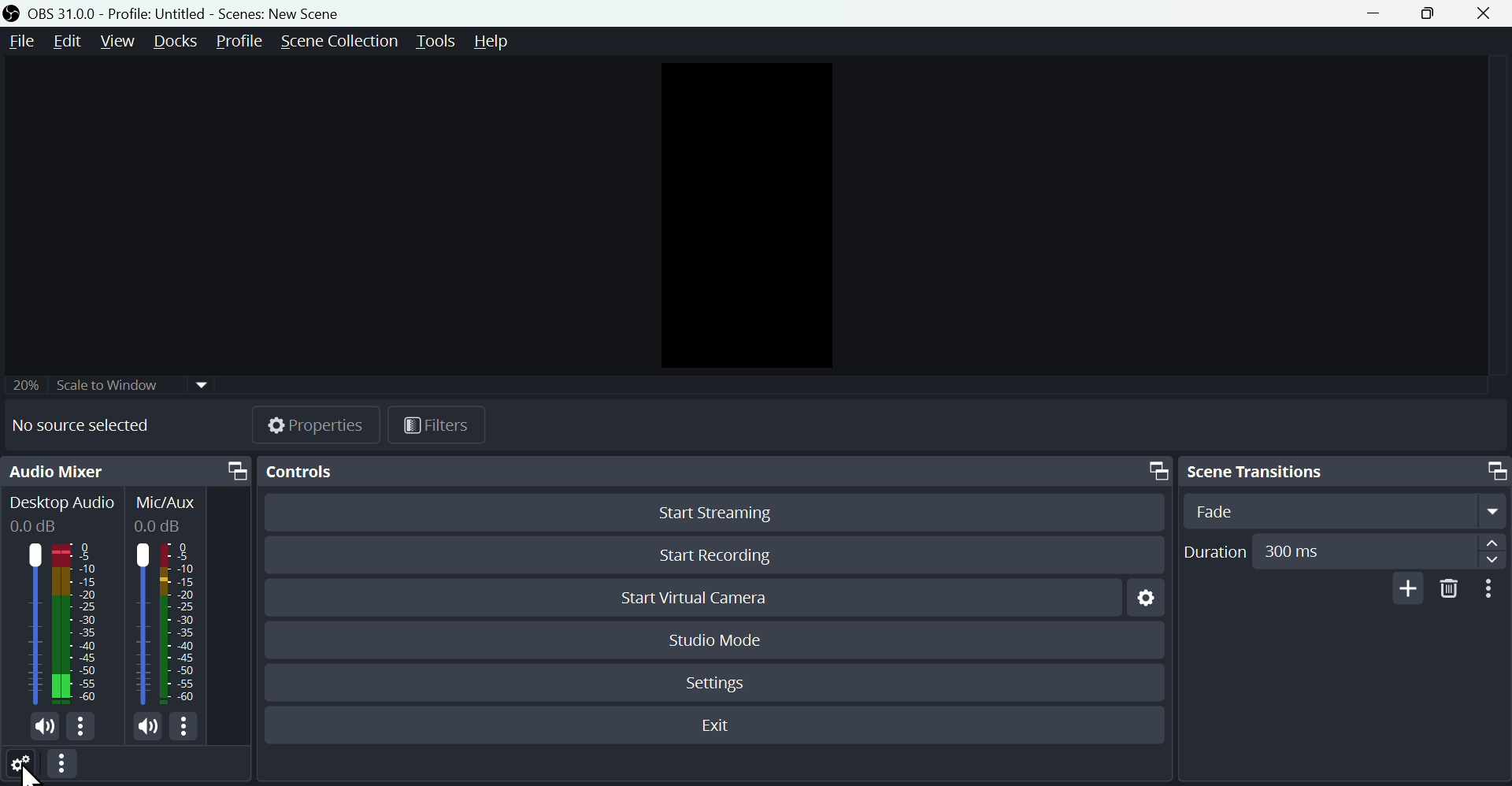  Describe the element at coordinates (719, 684) in the screenshot. I see `Settings` at that location.